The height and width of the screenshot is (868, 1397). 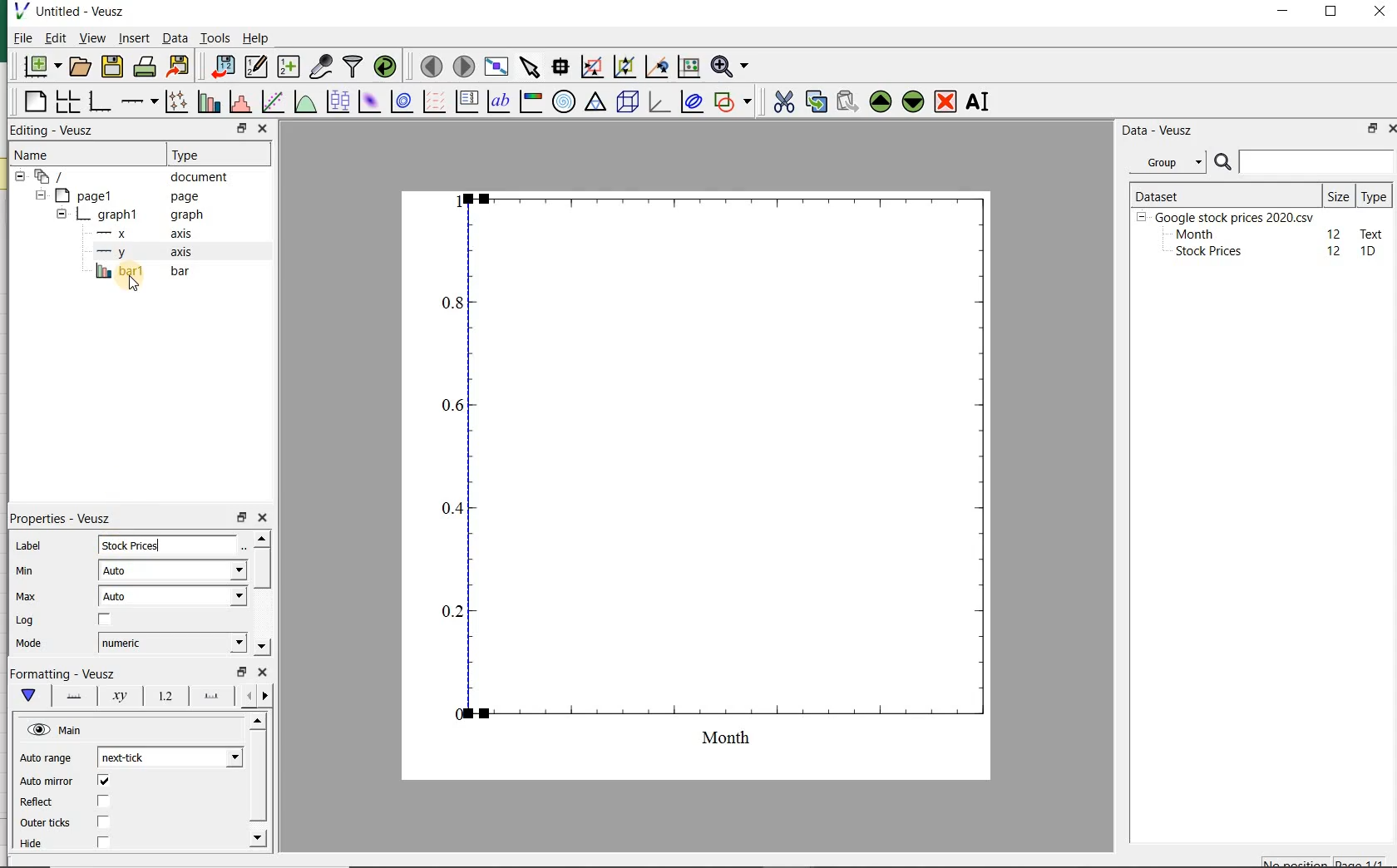 I want to click on check/uncheck, so click(x=103, y=821).